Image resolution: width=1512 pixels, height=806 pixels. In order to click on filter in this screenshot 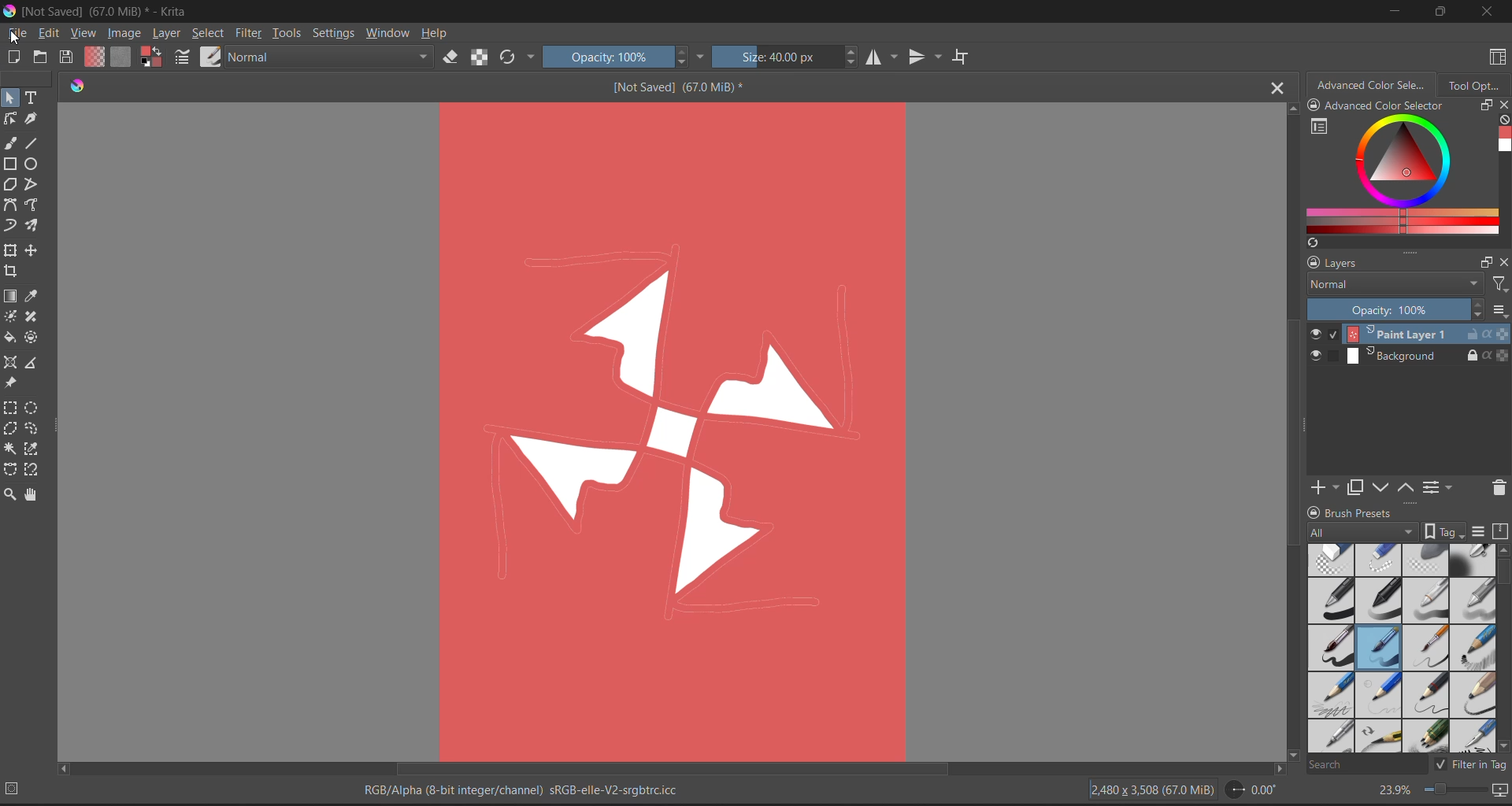, I will do `click(251, 33)`.